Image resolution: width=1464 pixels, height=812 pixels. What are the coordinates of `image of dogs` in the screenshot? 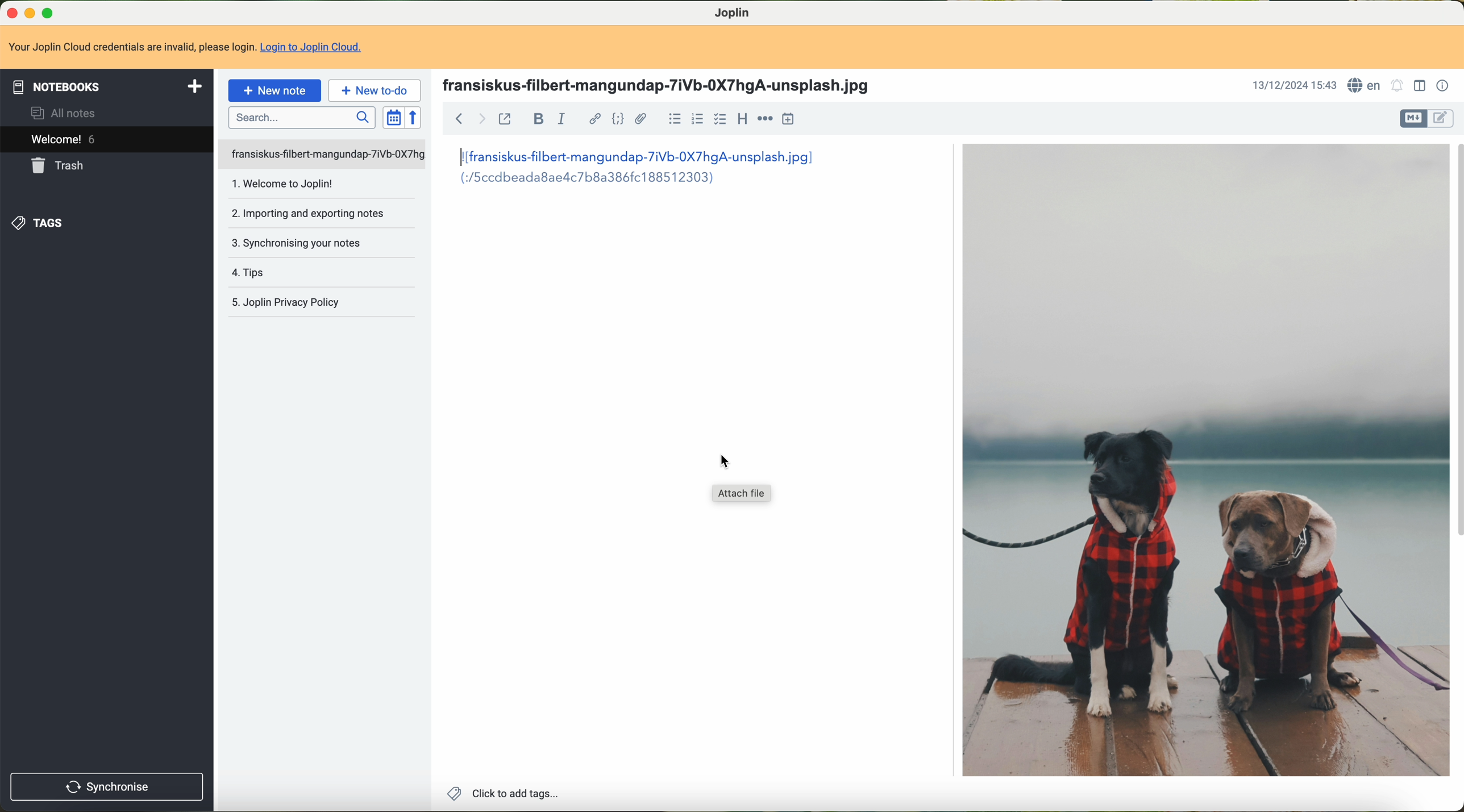 It's located at (1202, 460).